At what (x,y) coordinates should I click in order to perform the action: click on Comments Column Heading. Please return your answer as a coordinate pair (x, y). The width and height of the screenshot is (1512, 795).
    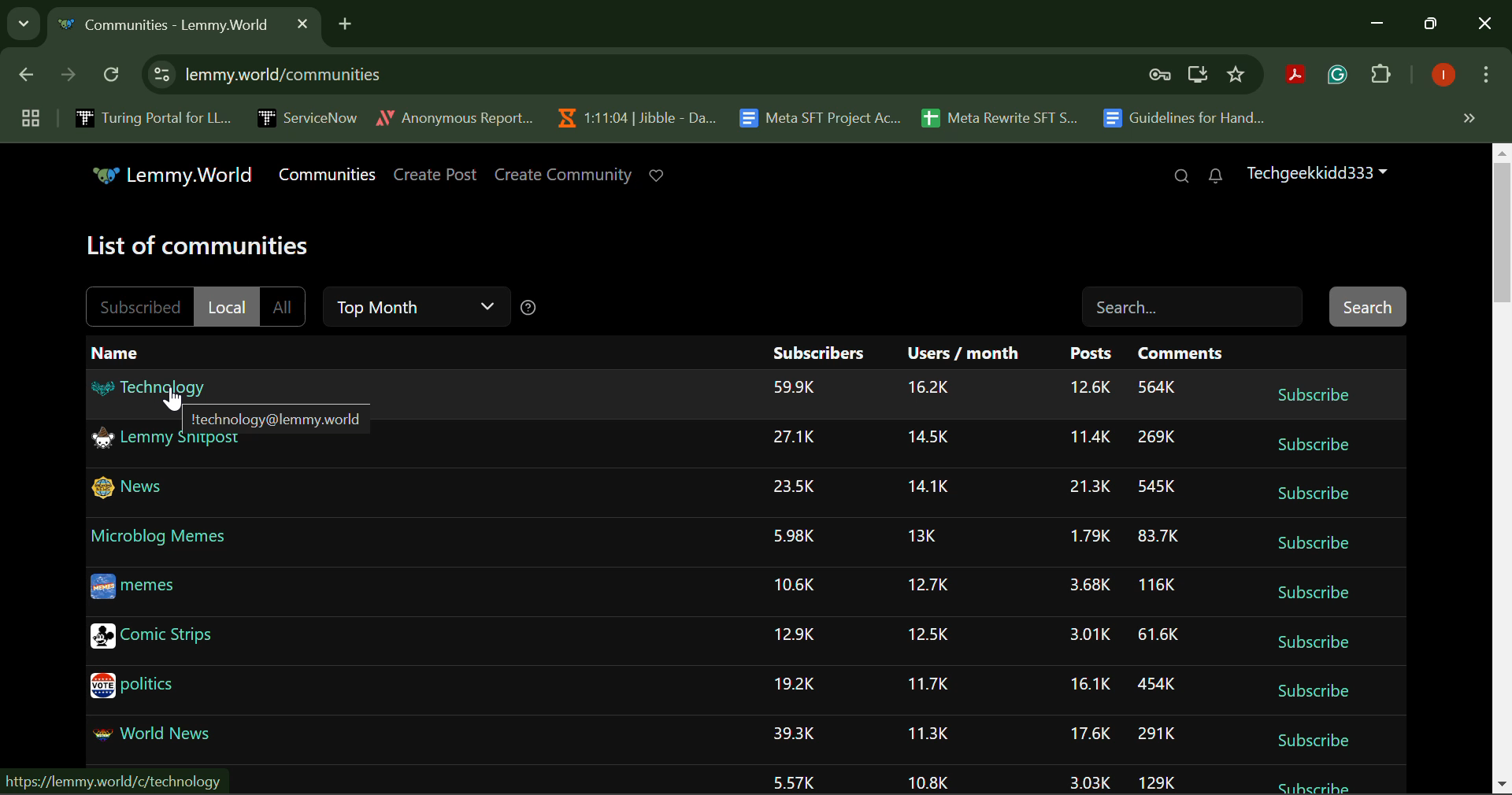
    Looking at the image, I should click on (1180, 353).